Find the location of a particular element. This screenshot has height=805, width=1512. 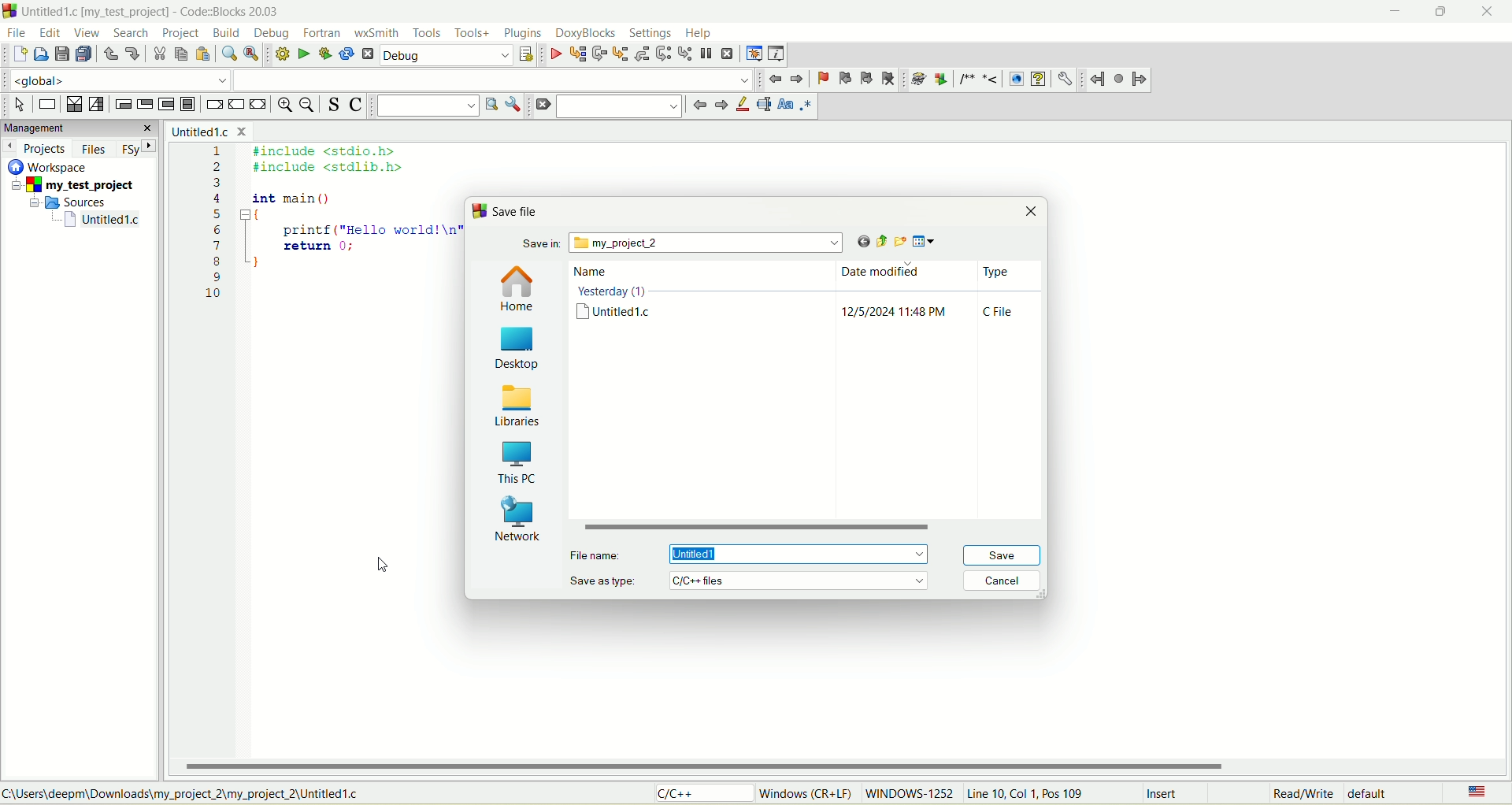

zoom in is located at coordinates (283, 106).